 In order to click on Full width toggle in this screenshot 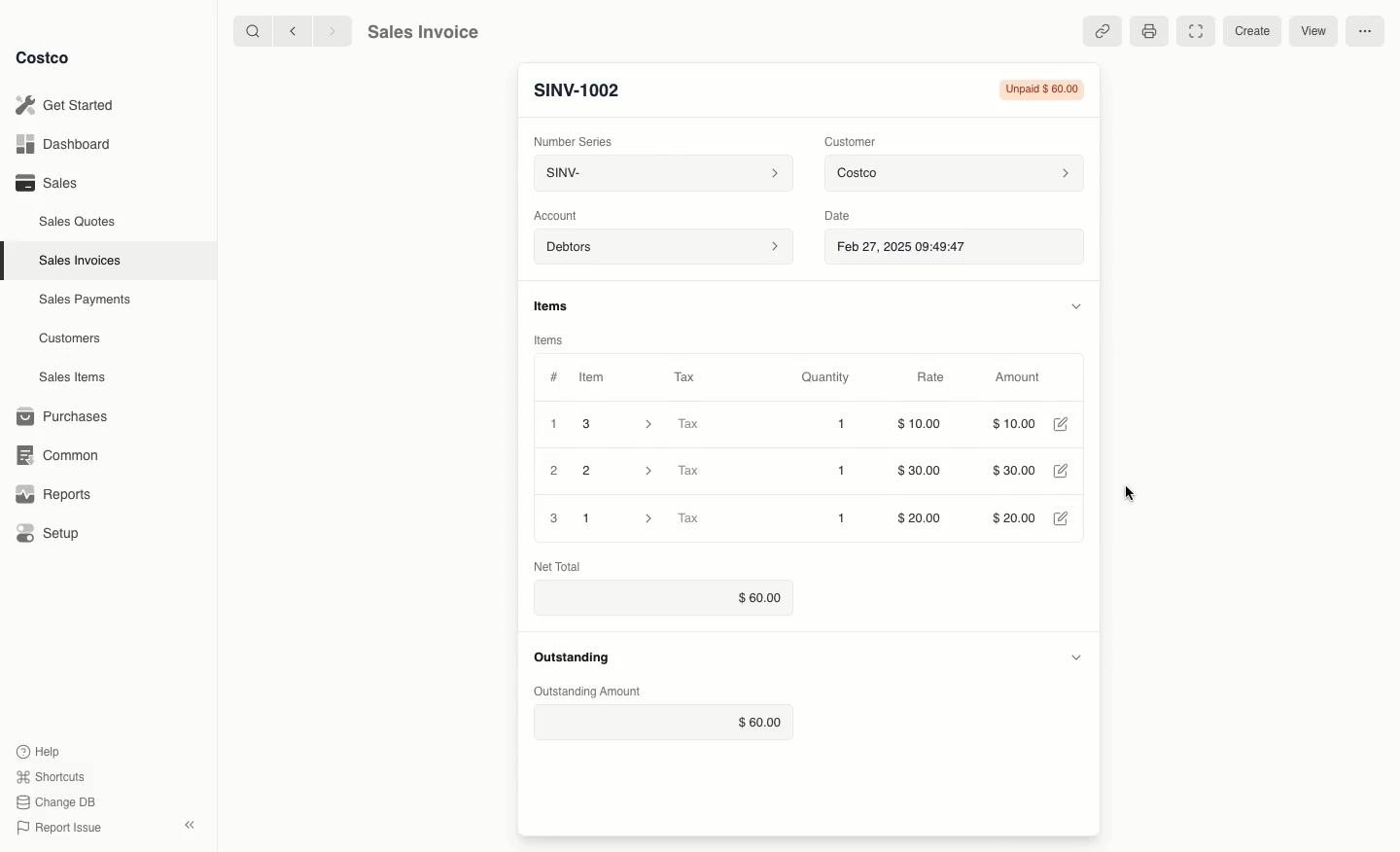, I will do `click(1195, 30)`.